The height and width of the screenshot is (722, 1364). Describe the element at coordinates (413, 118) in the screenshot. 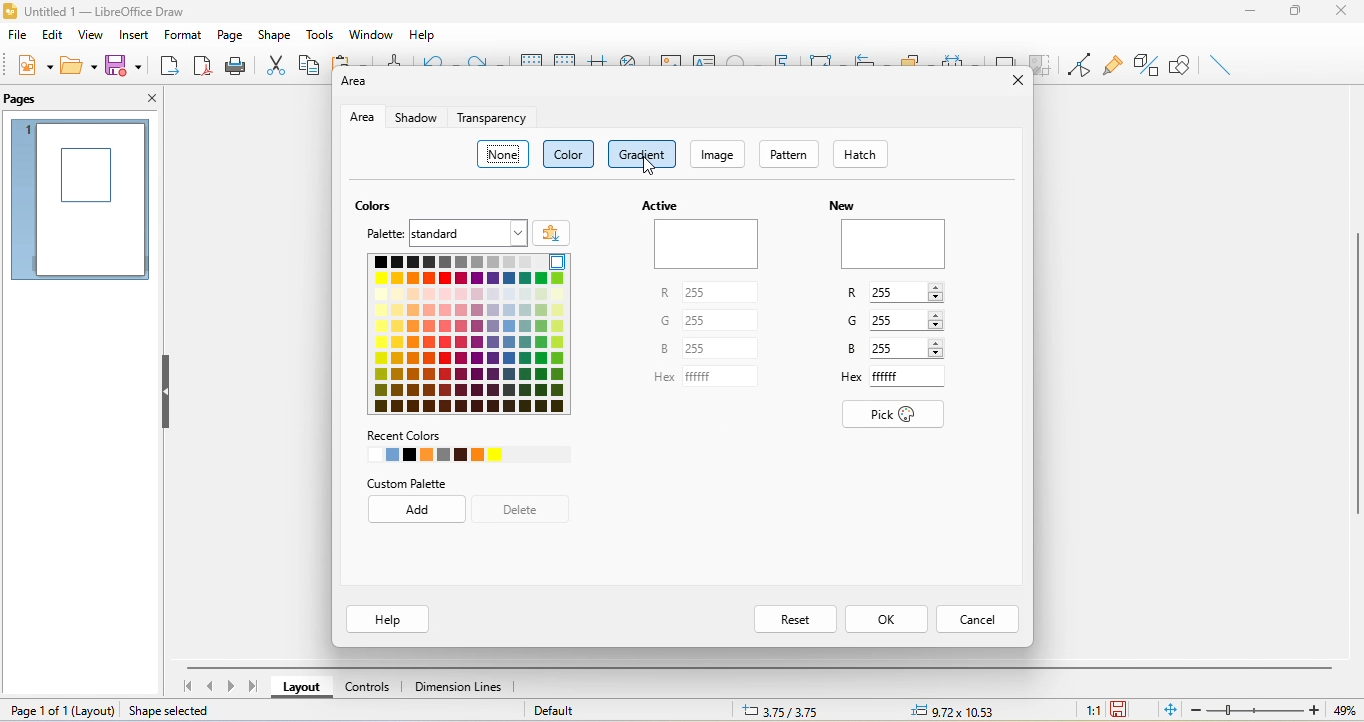

I see `shadow` at that location.